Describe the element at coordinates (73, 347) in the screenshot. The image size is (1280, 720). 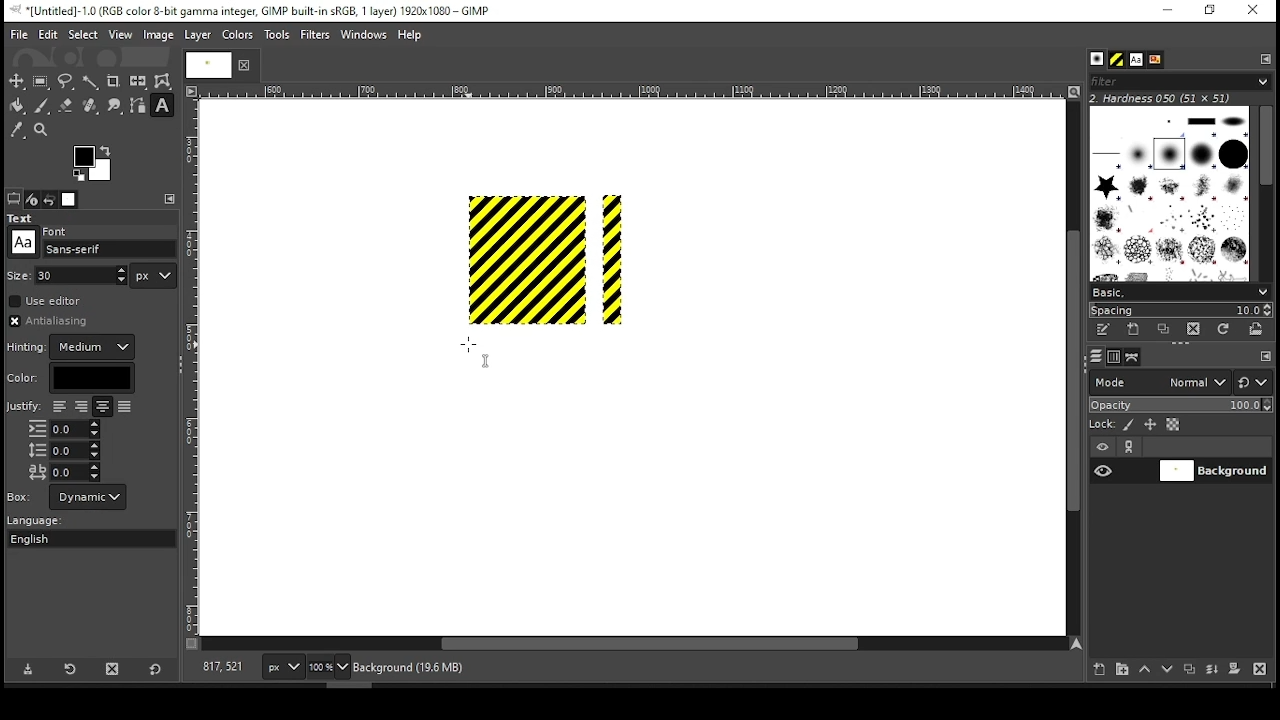
I see `hinting` at that location.